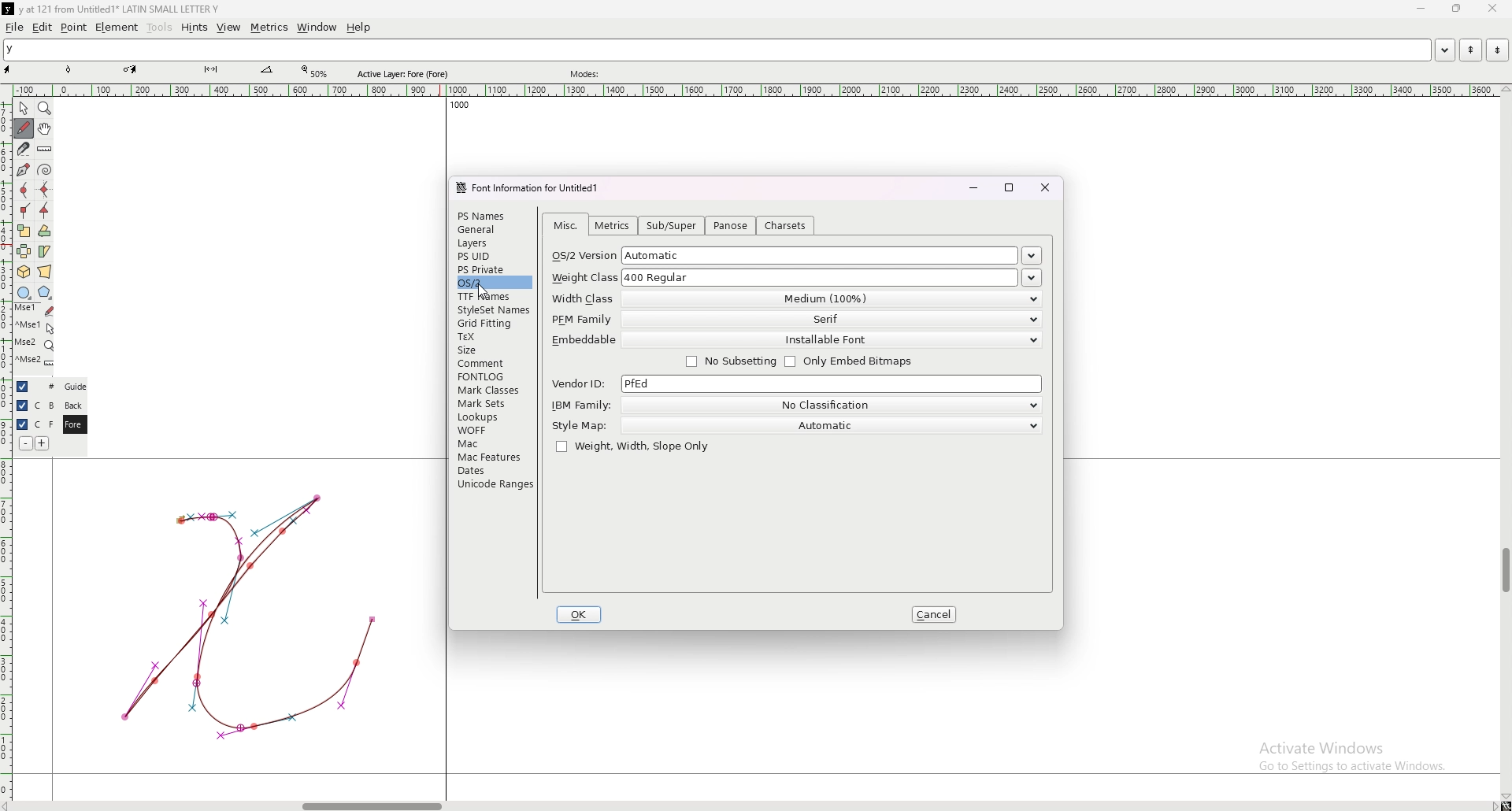 This screenshot has height=811, width=1512. What do you see at coordinates (1491, 9) in the screenshot?
I see `close` at bounding box center [1491, 9].